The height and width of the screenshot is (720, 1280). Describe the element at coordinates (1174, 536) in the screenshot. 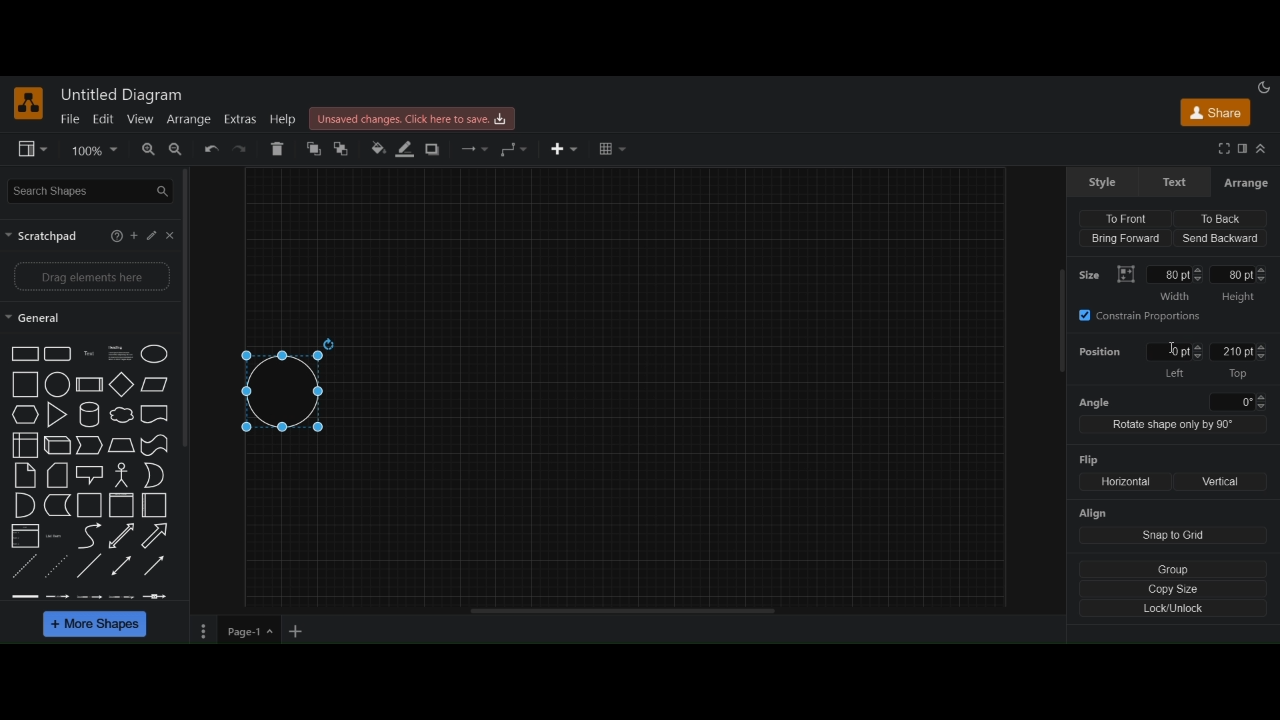

I see `snap to grid` at that location.